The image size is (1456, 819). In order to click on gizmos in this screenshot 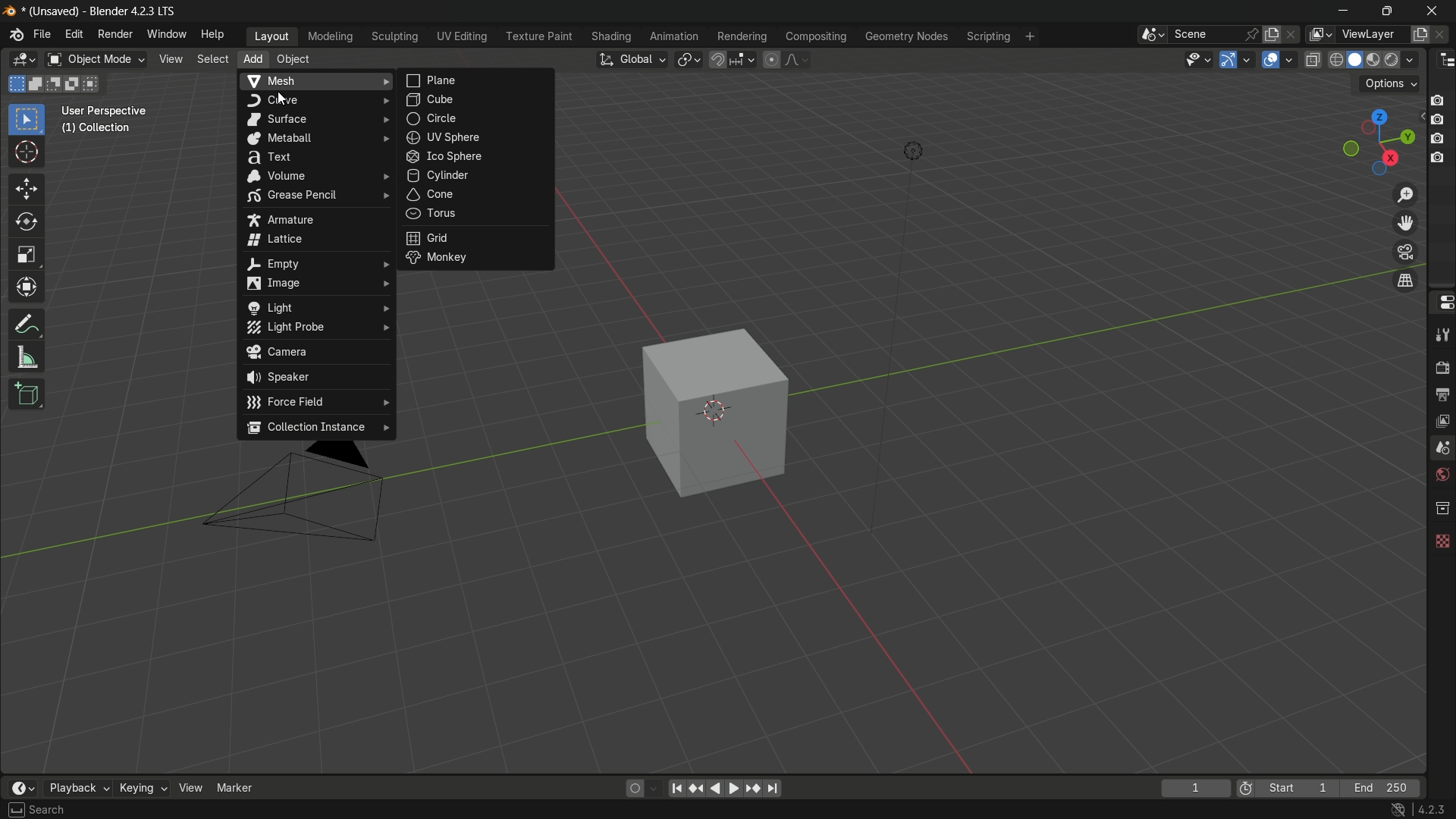, I will do `click(1246, 59)`.